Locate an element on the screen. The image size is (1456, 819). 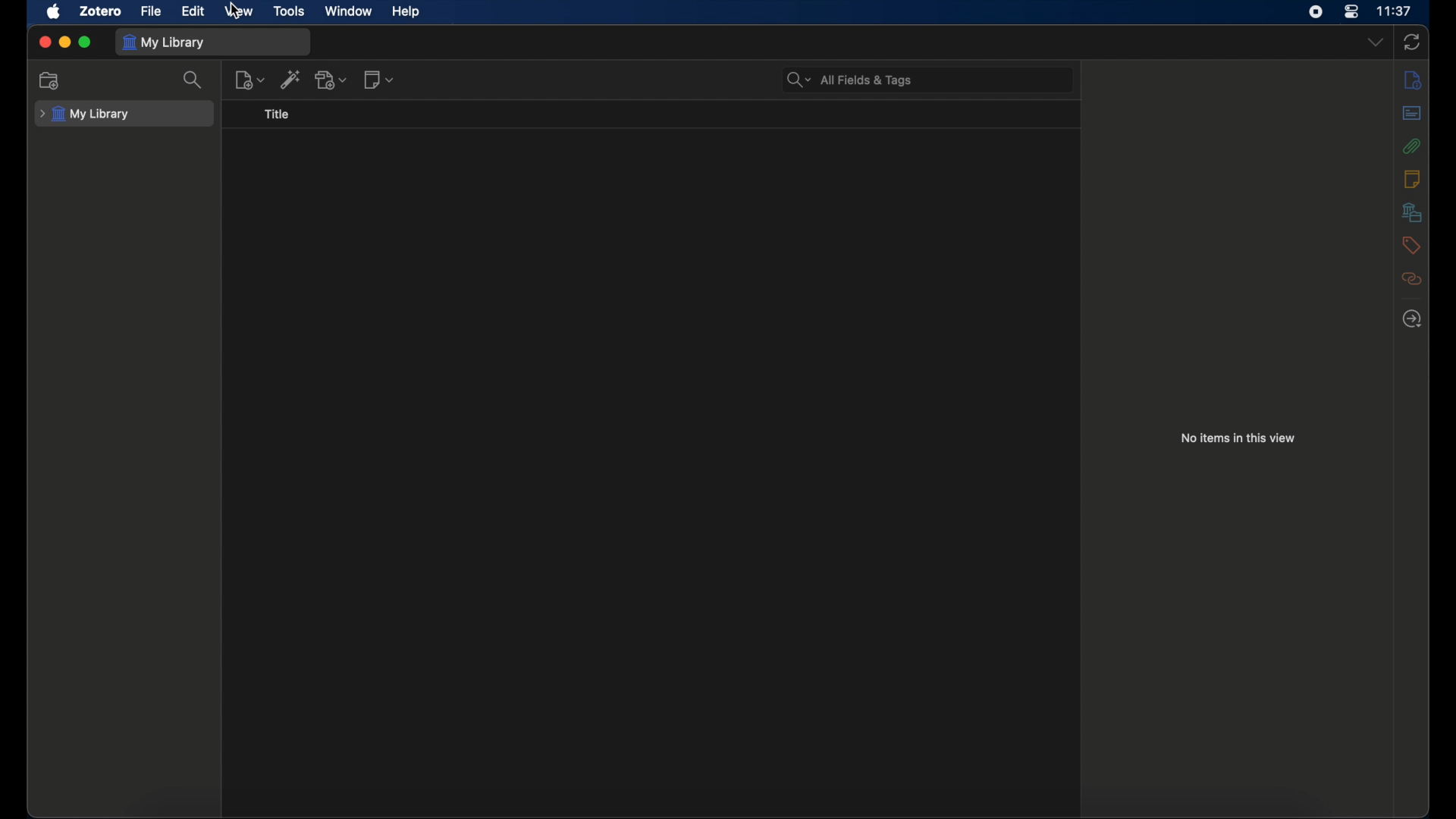
sync is located at coordinates (1412, 42).